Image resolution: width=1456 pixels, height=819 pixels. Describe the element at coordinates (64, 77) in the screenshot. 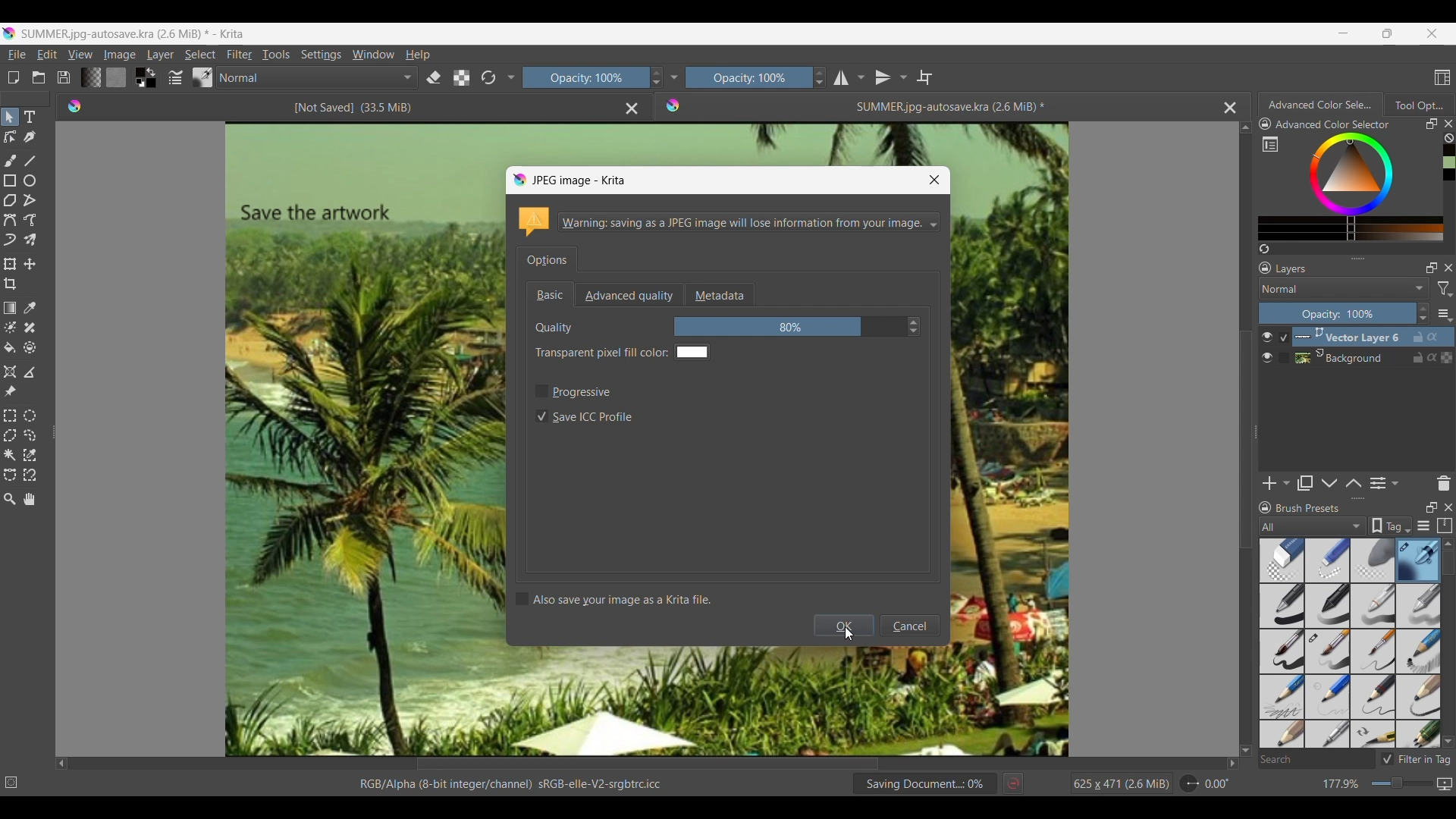

I see `Save` at that location.